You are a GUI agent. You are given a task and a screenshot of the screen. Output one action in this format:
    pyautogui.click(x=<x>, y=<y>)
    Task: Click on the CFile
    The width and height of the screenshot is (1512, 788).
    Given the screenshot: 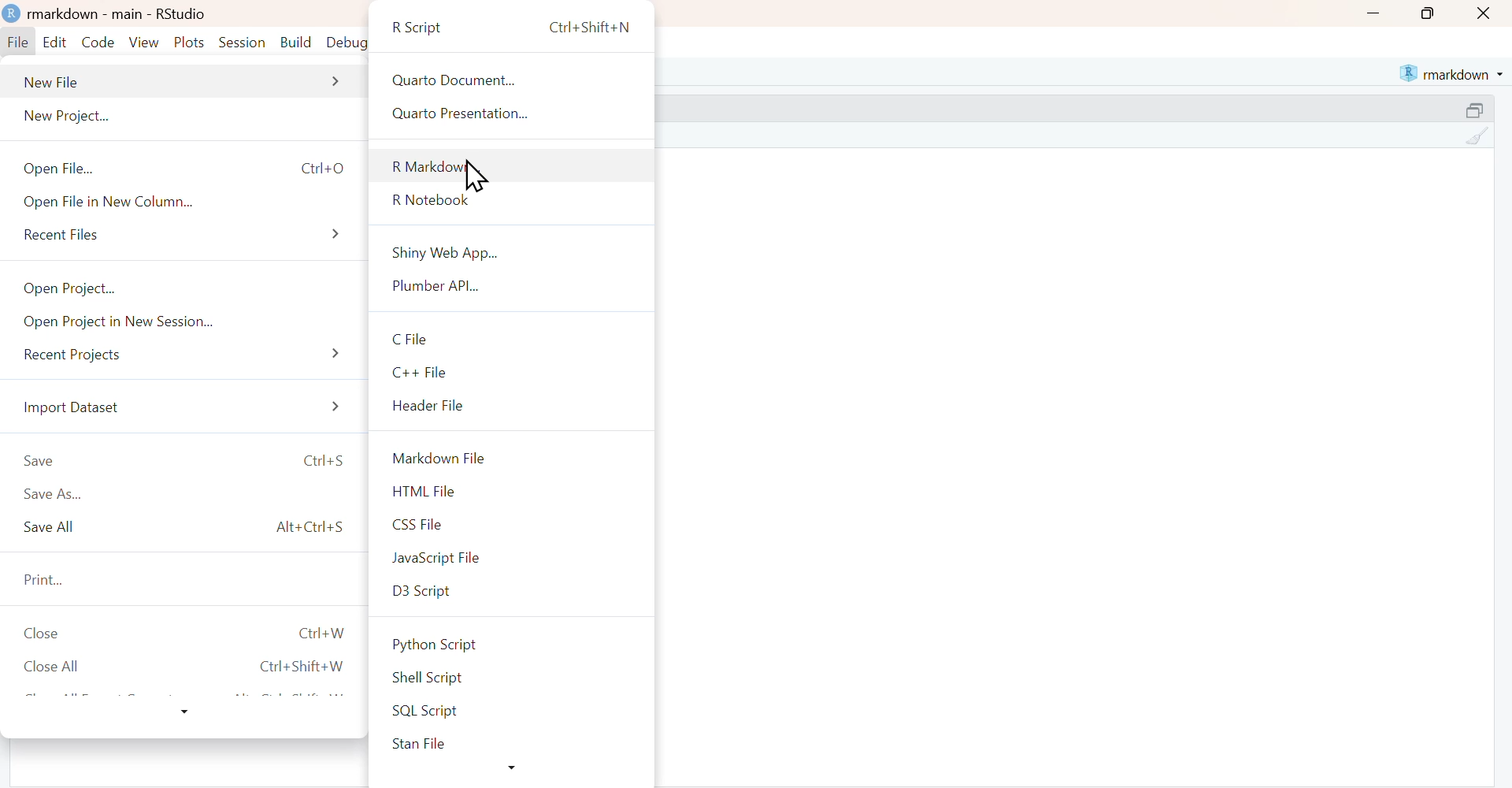 What is the action you would take?
    pyautogui.click(x=512, y=339)
    